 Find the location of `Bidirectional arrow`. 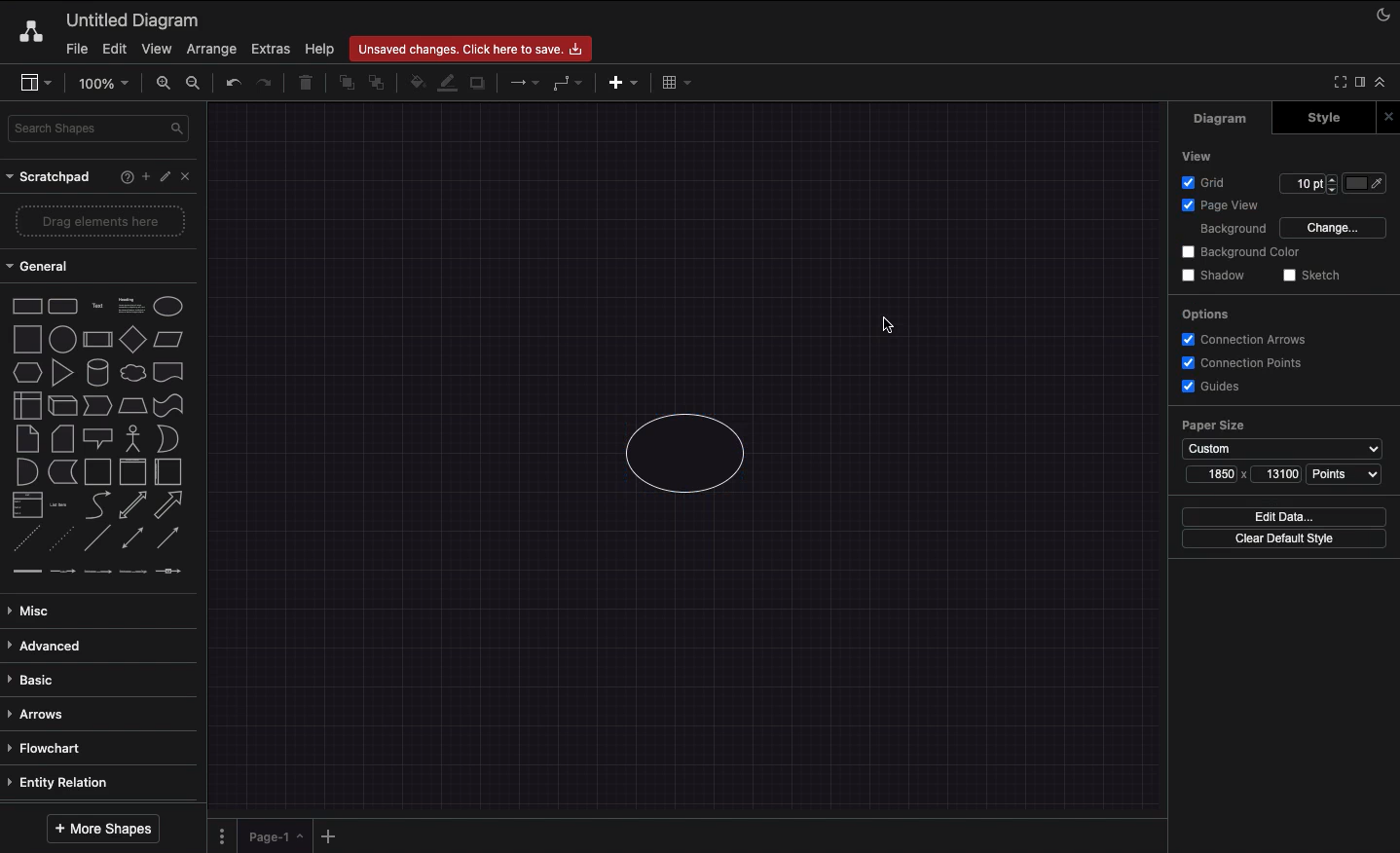

Bidirectional arrow is located at coordinates (132, 504).